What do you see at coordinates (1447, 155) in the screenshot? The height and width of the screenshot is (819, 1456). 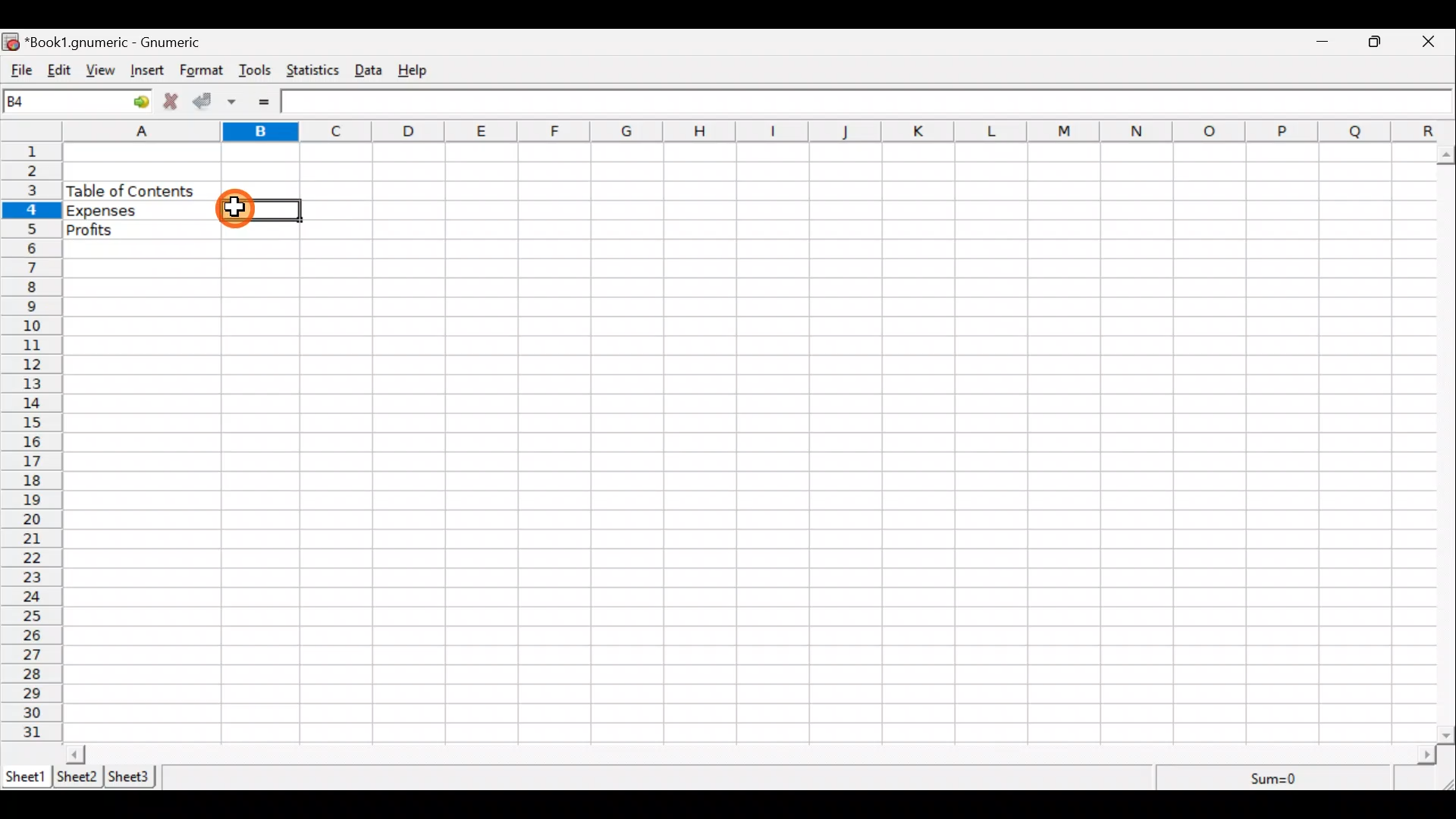 I see `scroll up` at bounding box center [1447, 155].